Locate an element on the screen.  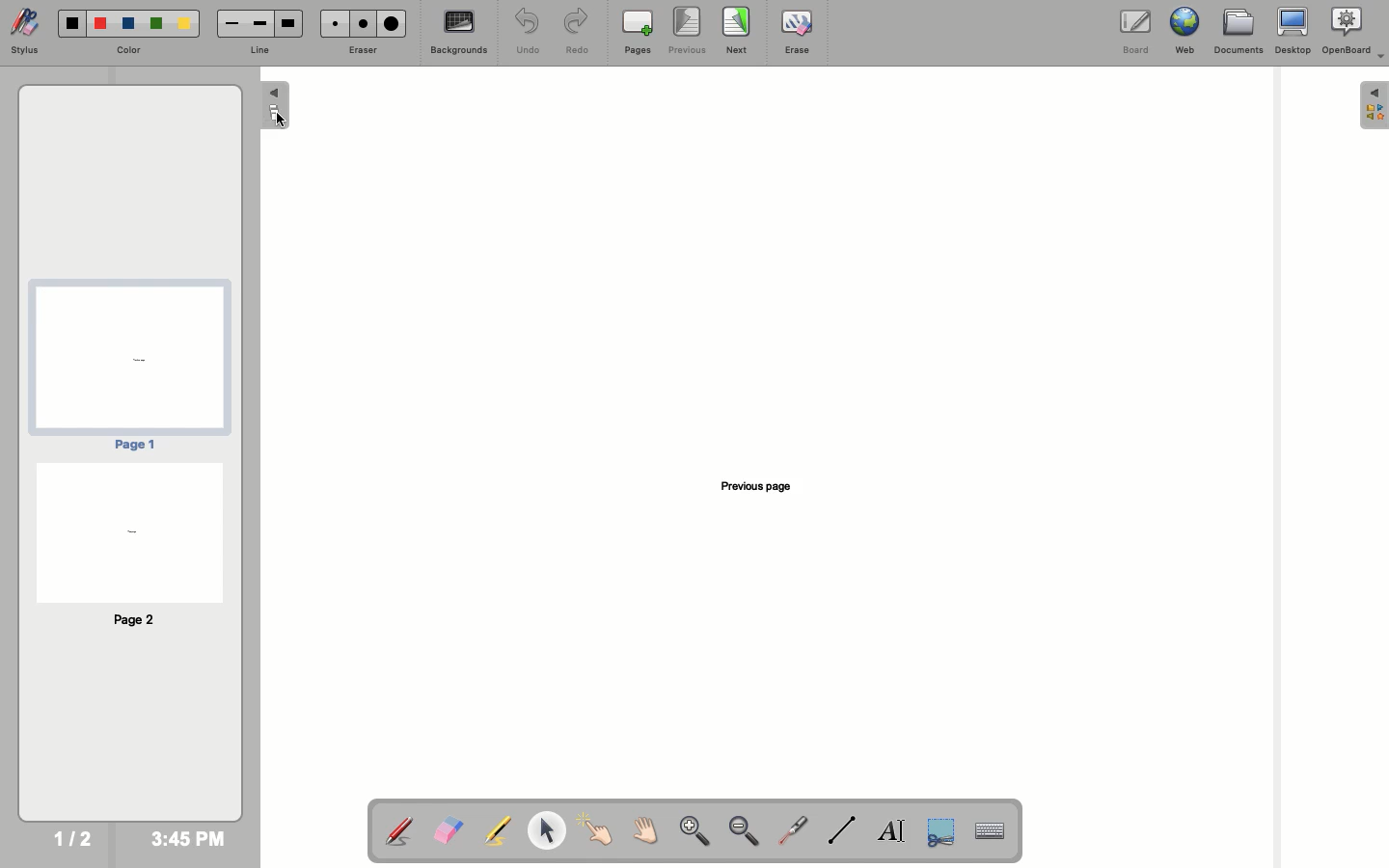
OpenBoard is located at coordinates (1354, 31).